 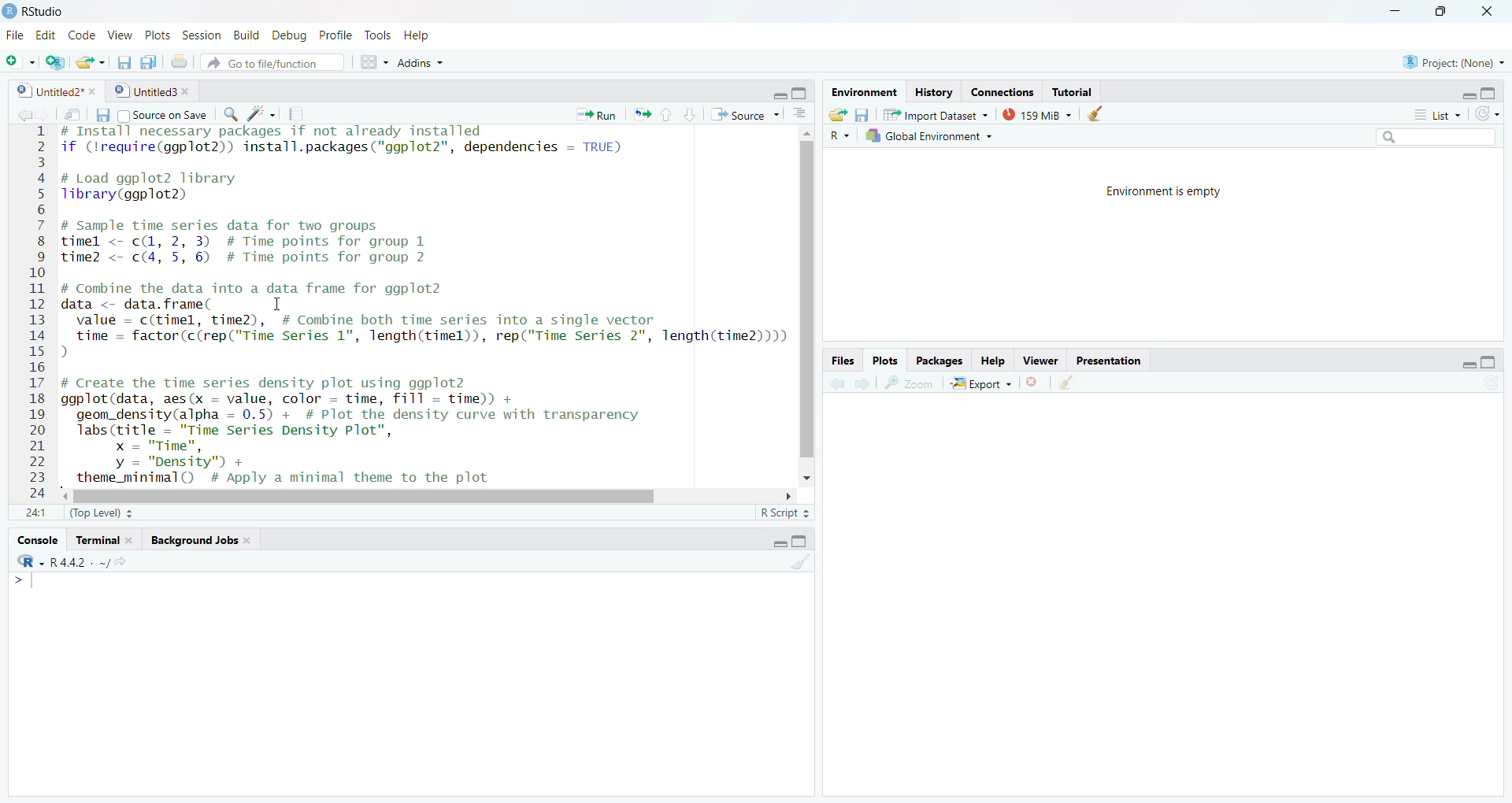 What do you see at coordinates (334, 35) in the screenshot?
I see `Profile` at bounding box center [334, 35].